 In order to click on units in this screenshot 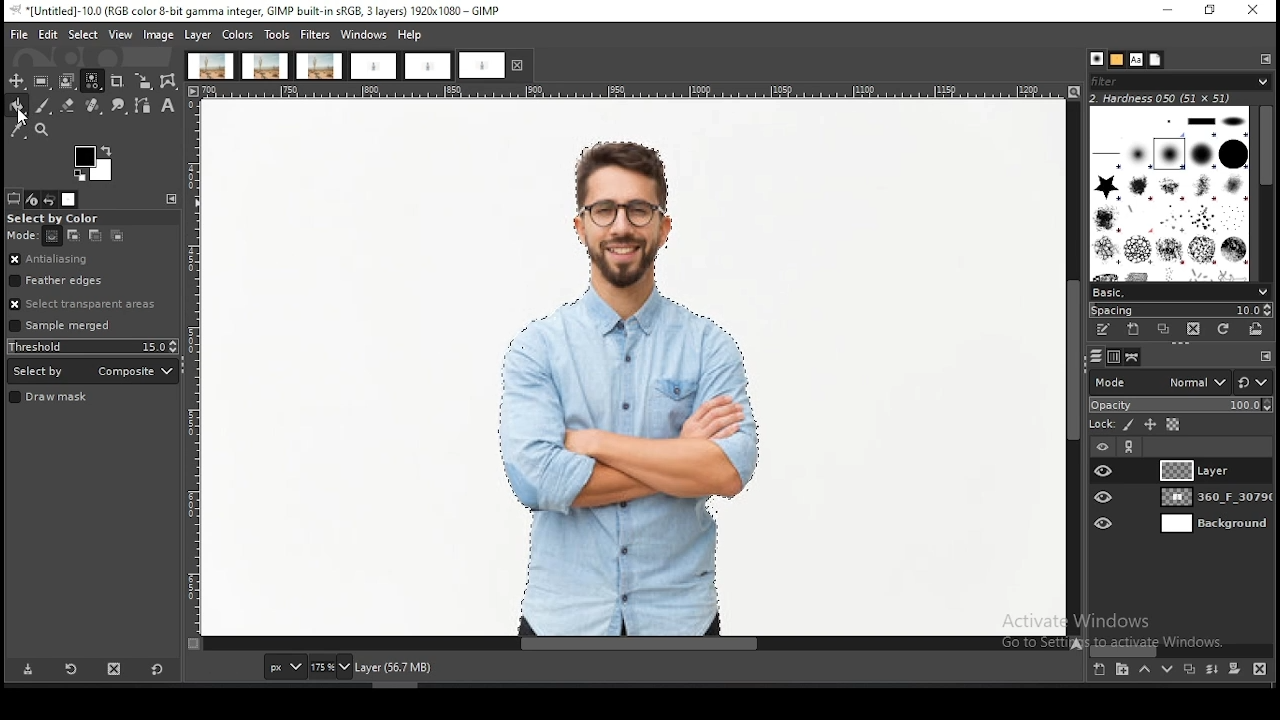, I will do `click(284, 667)`.